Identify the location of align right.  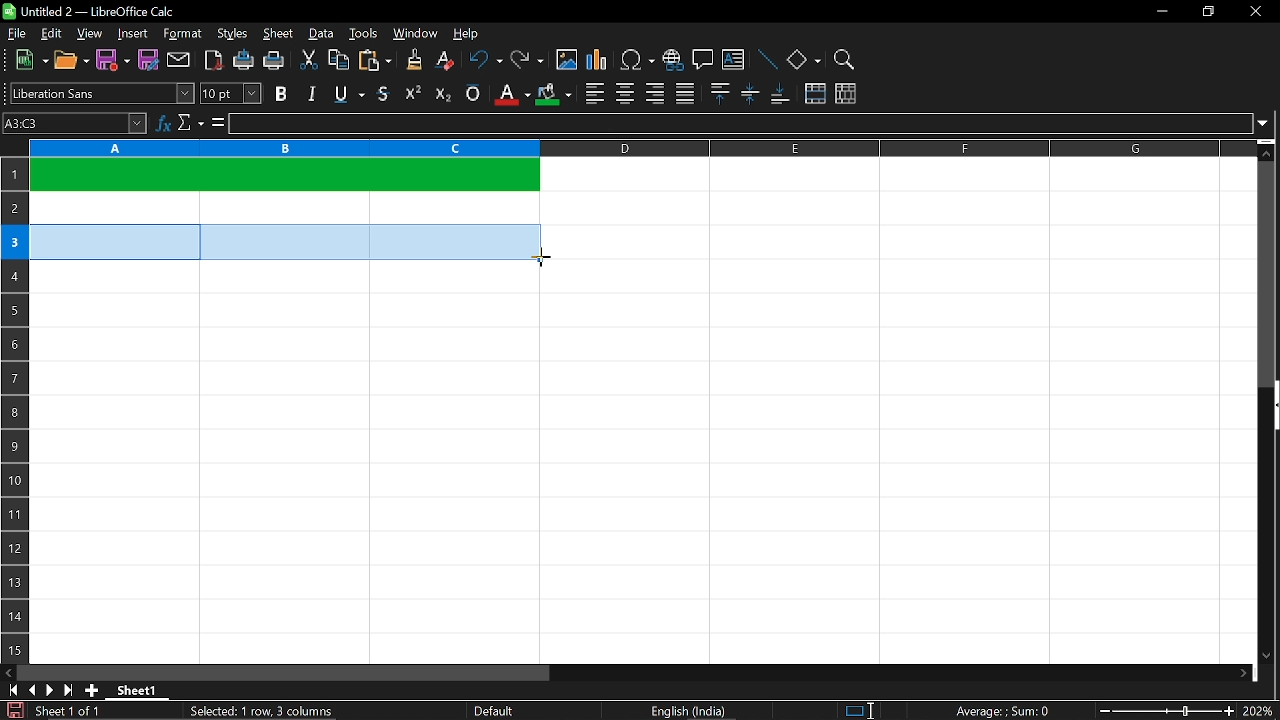
(654, 94).